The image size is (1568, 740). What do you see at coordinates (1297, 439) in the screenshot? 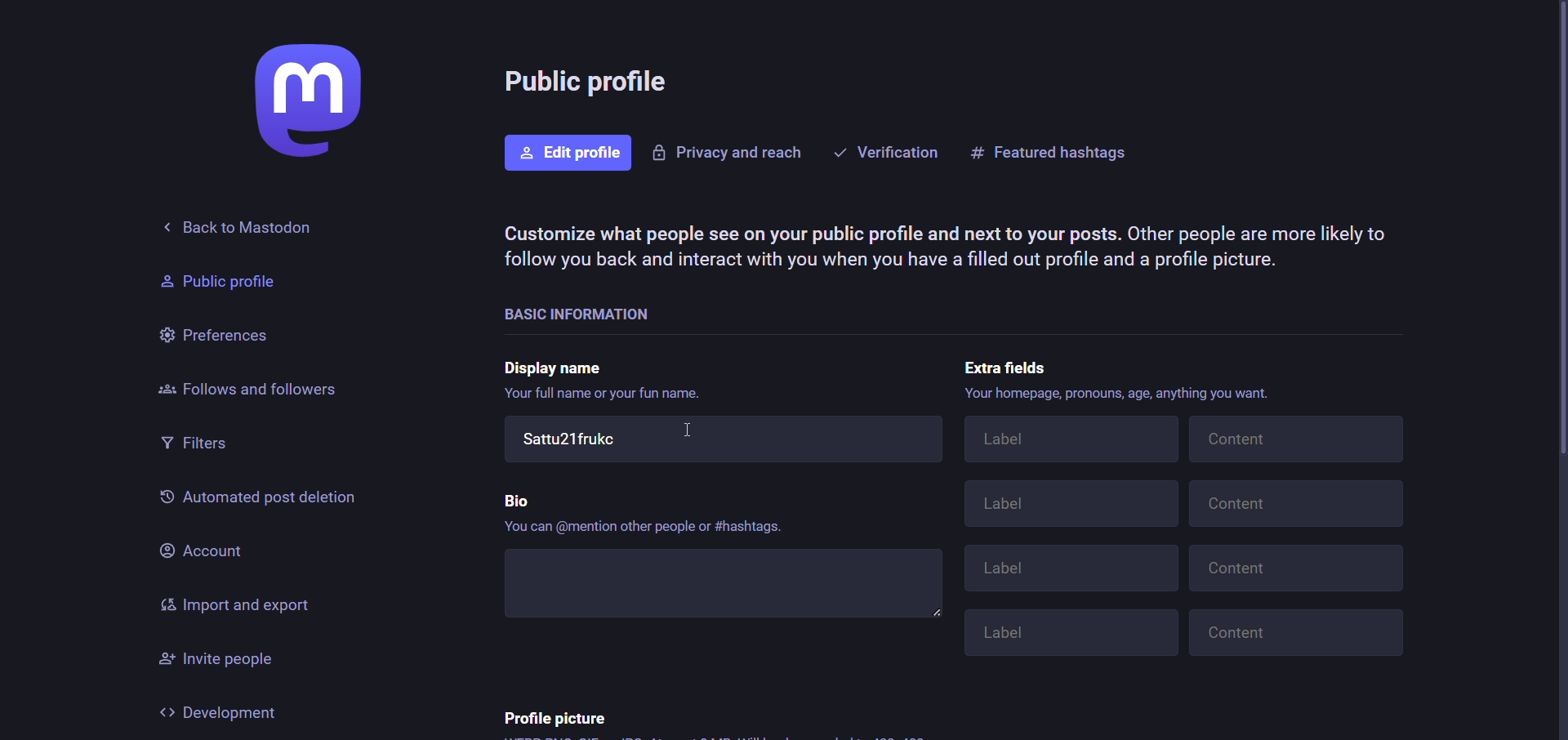
I see `Content ` at bounding box center [1297, 439].